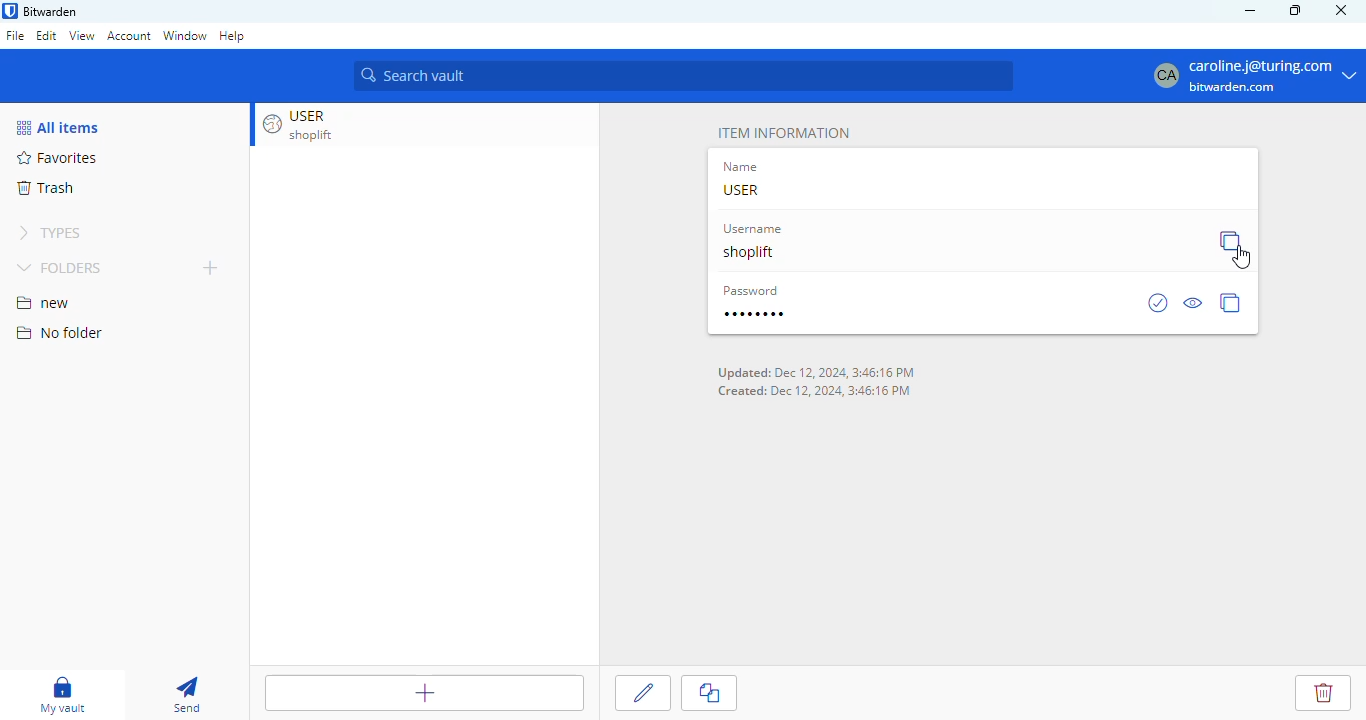 Image resolution: width=1366 pixels, height=720 pixels. I want to click on all items, so click(59, 128).